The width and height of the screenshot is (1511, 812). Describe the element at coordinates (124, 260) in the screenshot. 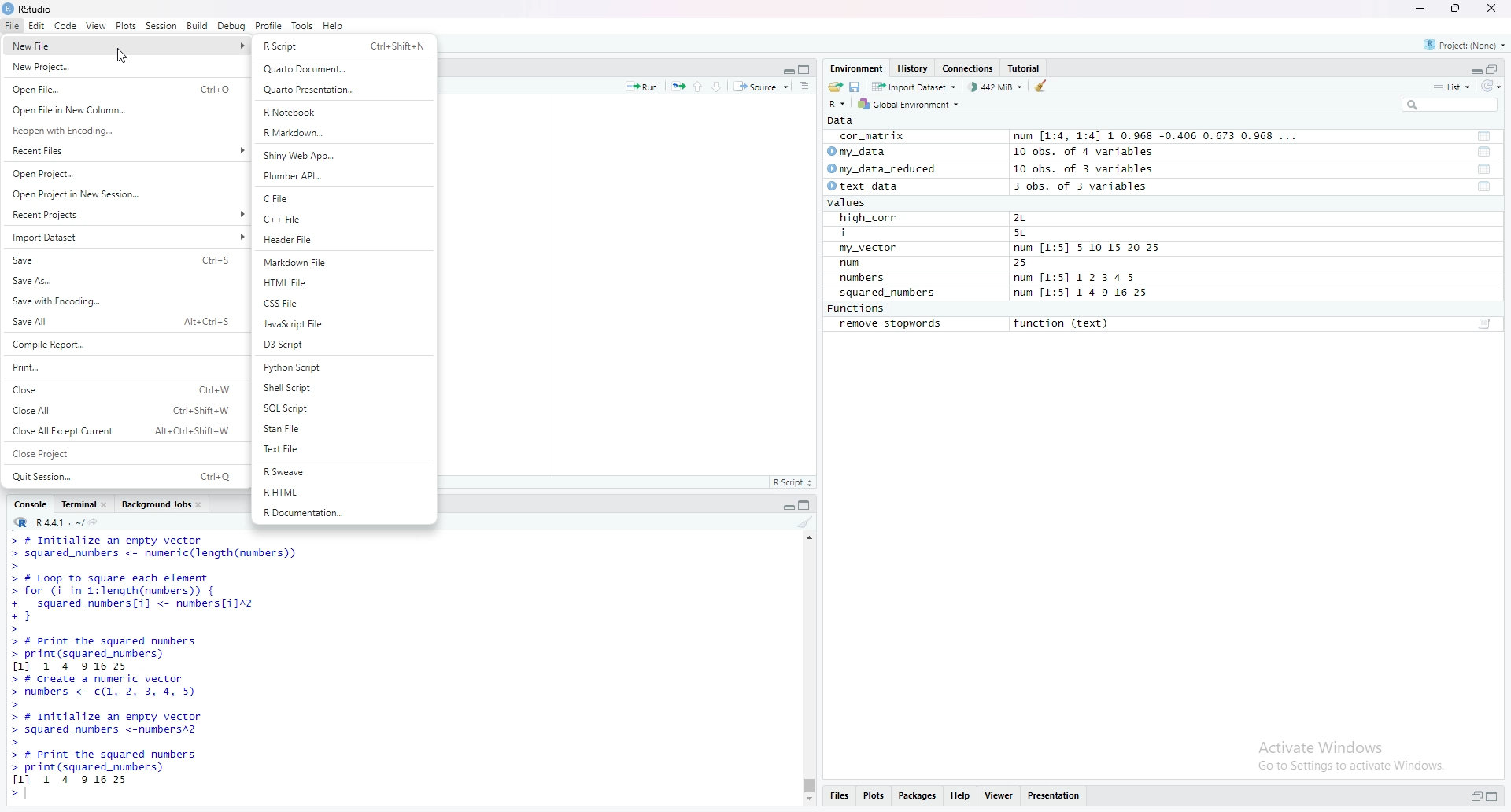

I see `Save` at that location.